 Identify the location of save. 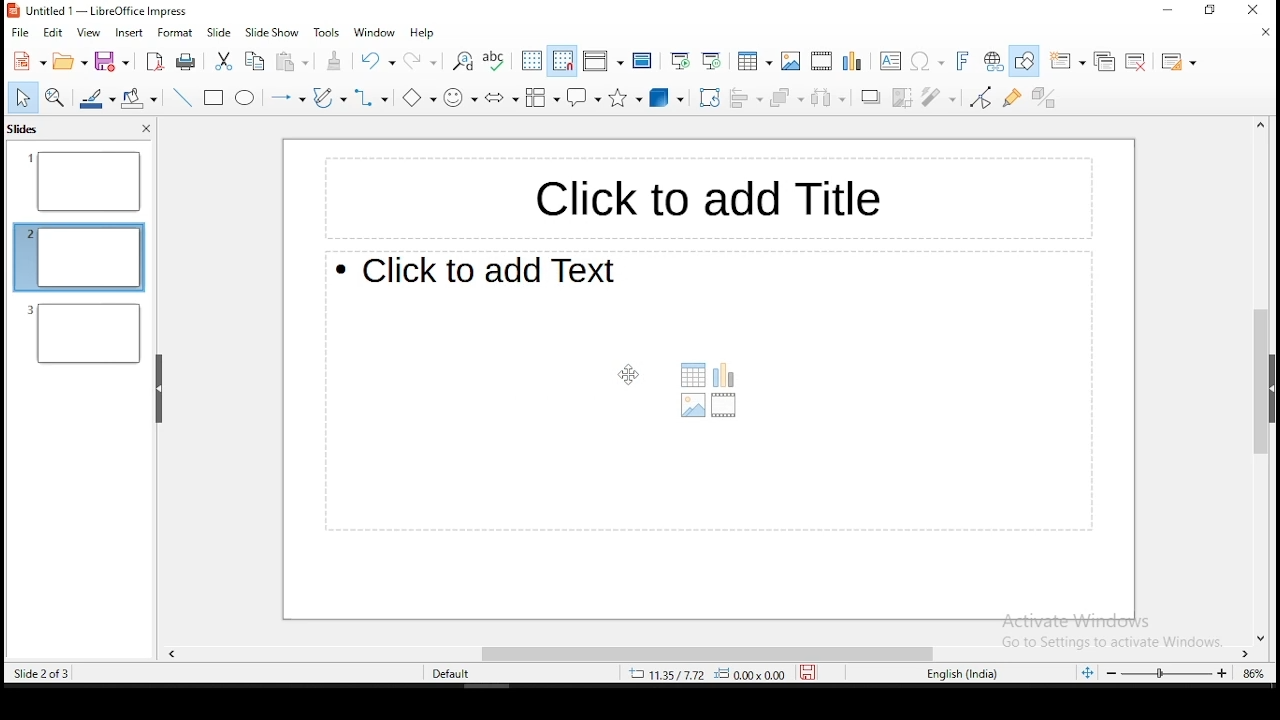
(812, 672).